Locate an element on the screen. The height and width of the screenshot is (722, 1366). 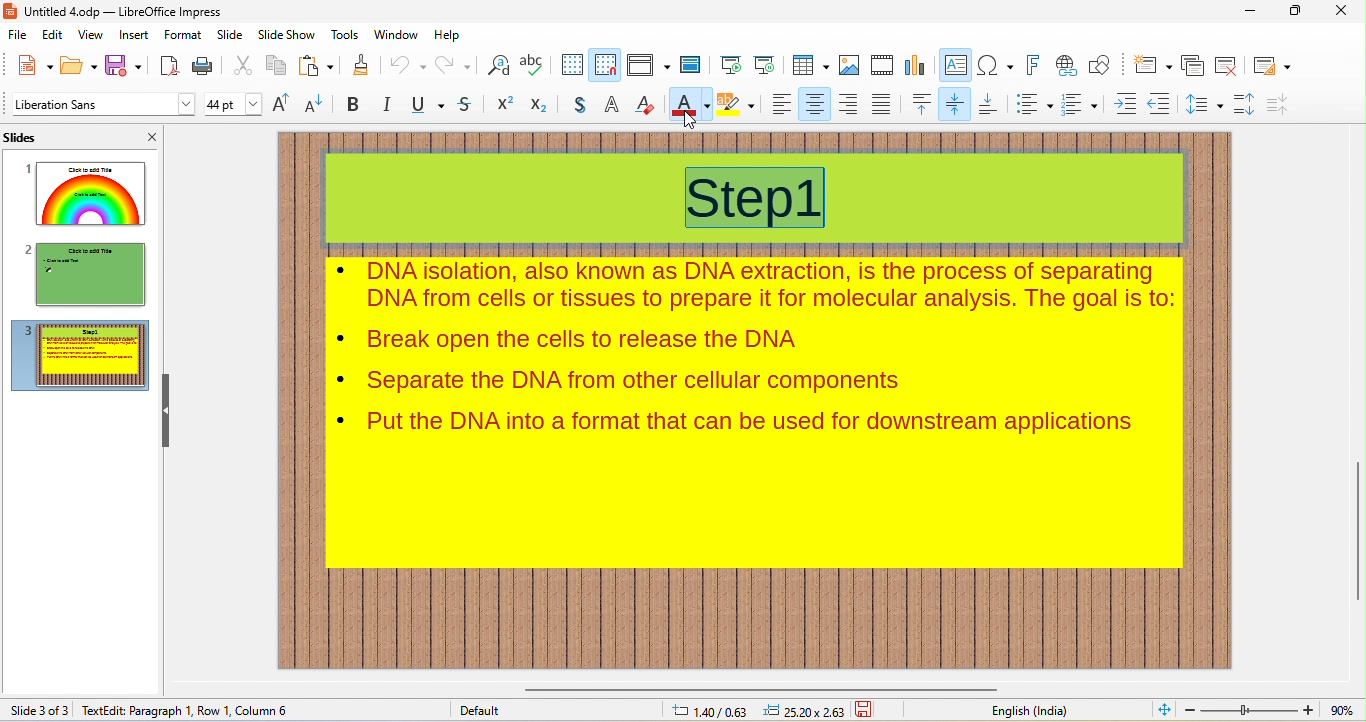
close is located at coordinates (150, 134).